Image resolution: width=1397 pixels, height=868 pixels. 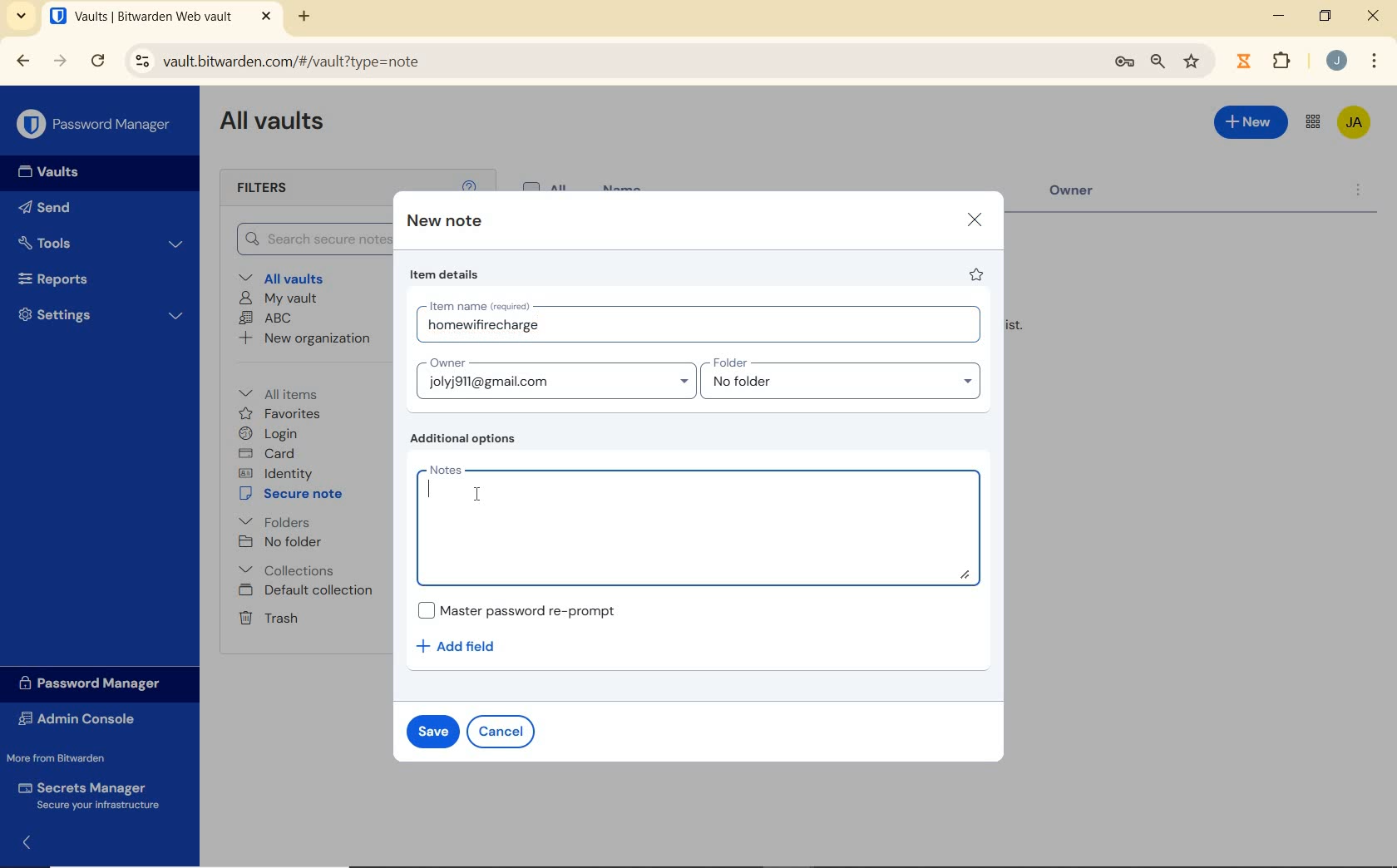 What do you see at coordinates (160, 16) in the screenshot?
I see `open tab` at bounding box center [160, 16].